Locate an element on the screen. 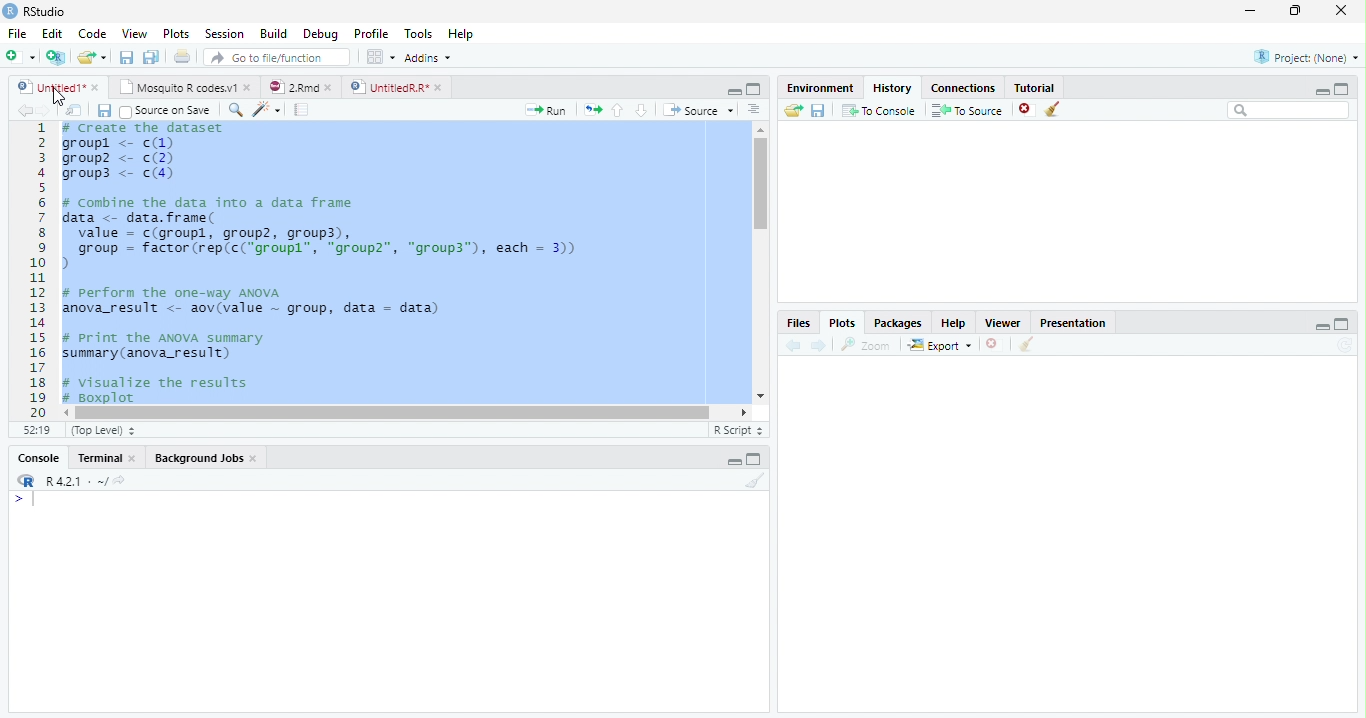 This screenshot has height=718, width=1366. Edit is located at coordinates (51, 33).